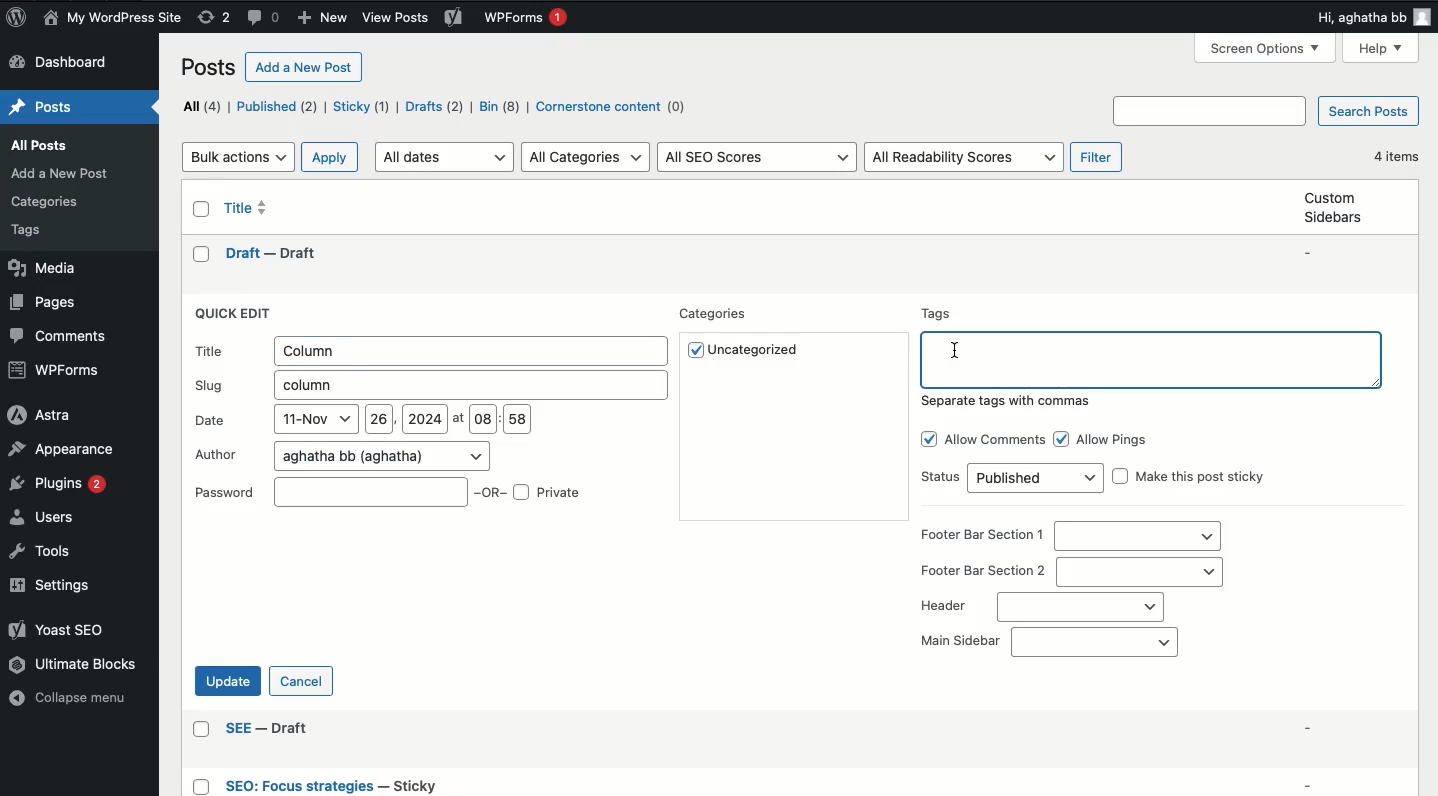 Image resolution: width=1438 pixels, height=796 pixels. I want to click on Header , so click(1039, 606).